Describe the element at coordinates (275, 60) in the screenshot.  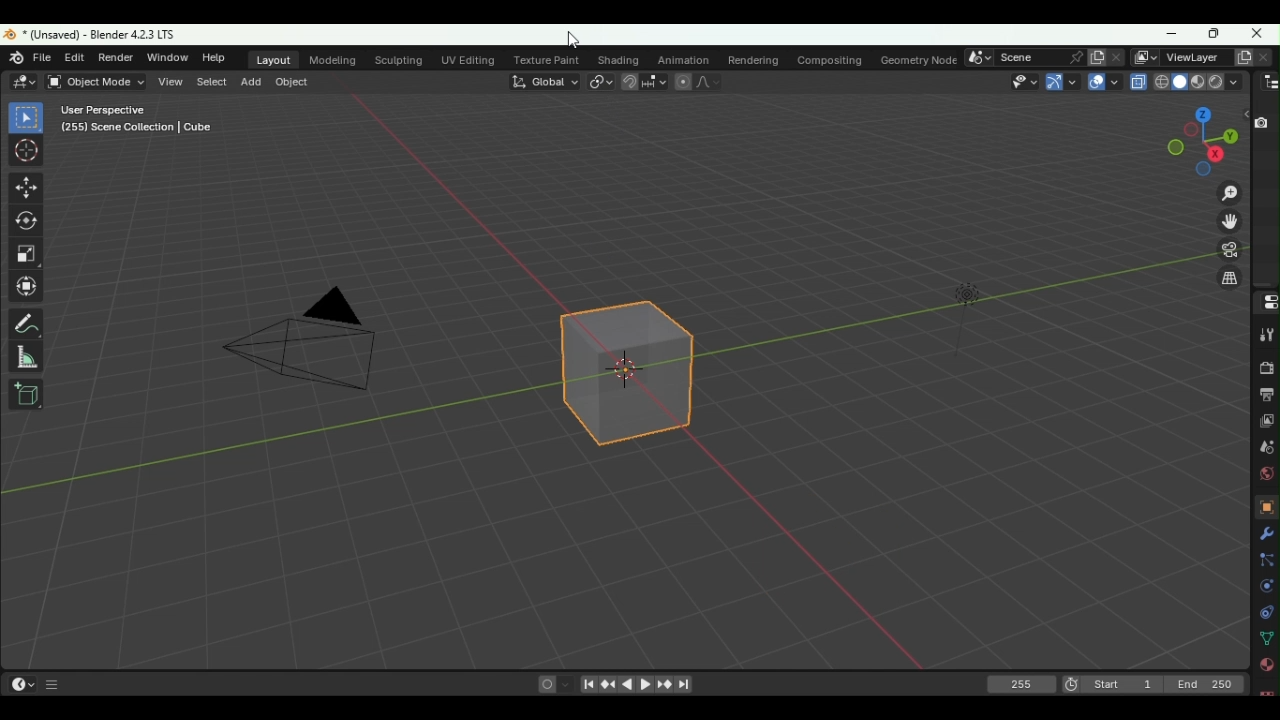
I see `Layout` at that location.